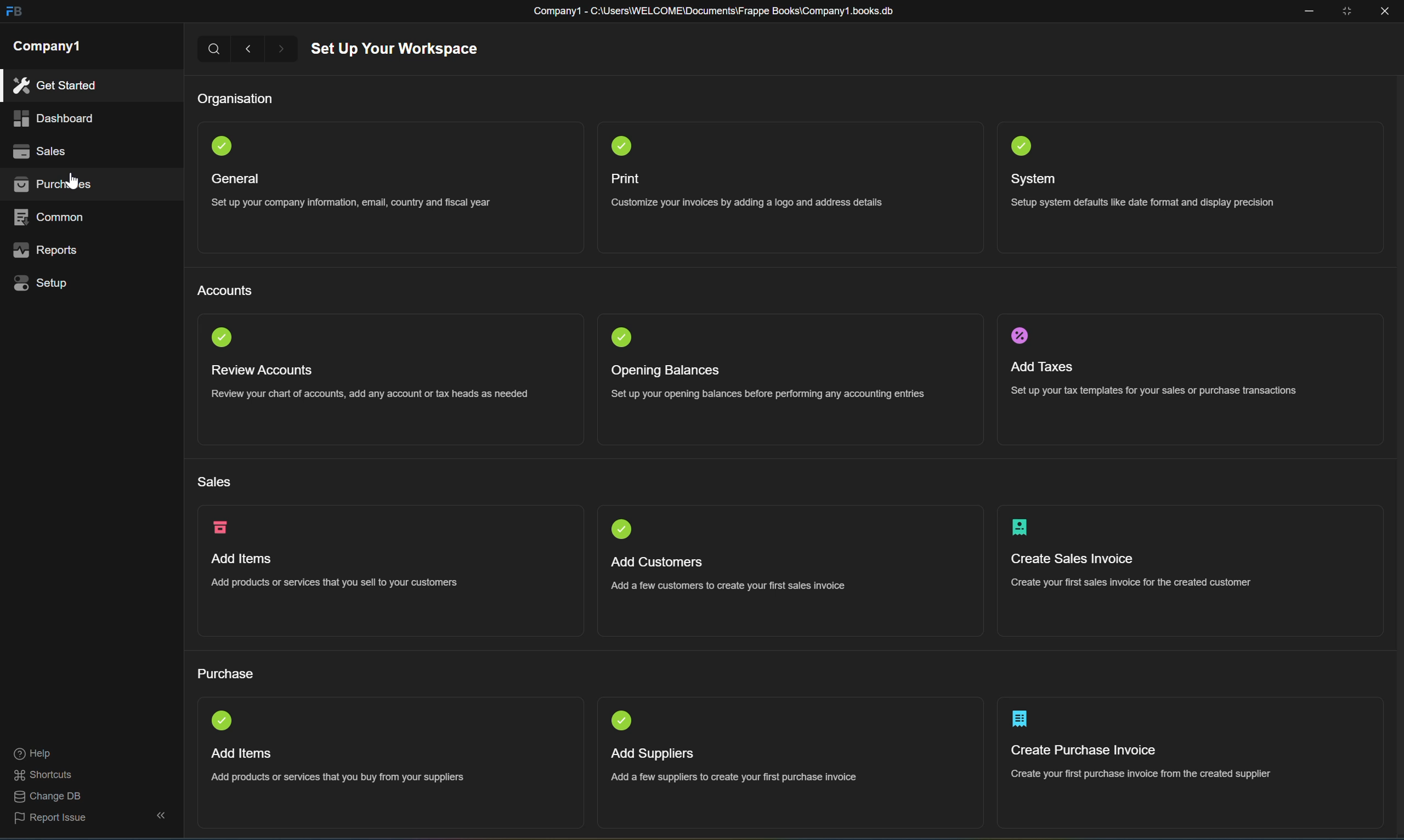 This screenshot has height=840, width=1404. What do you see at coordinates (74, 182) in the screenshot?
I see `cursor` at bounding box center [74, 182].